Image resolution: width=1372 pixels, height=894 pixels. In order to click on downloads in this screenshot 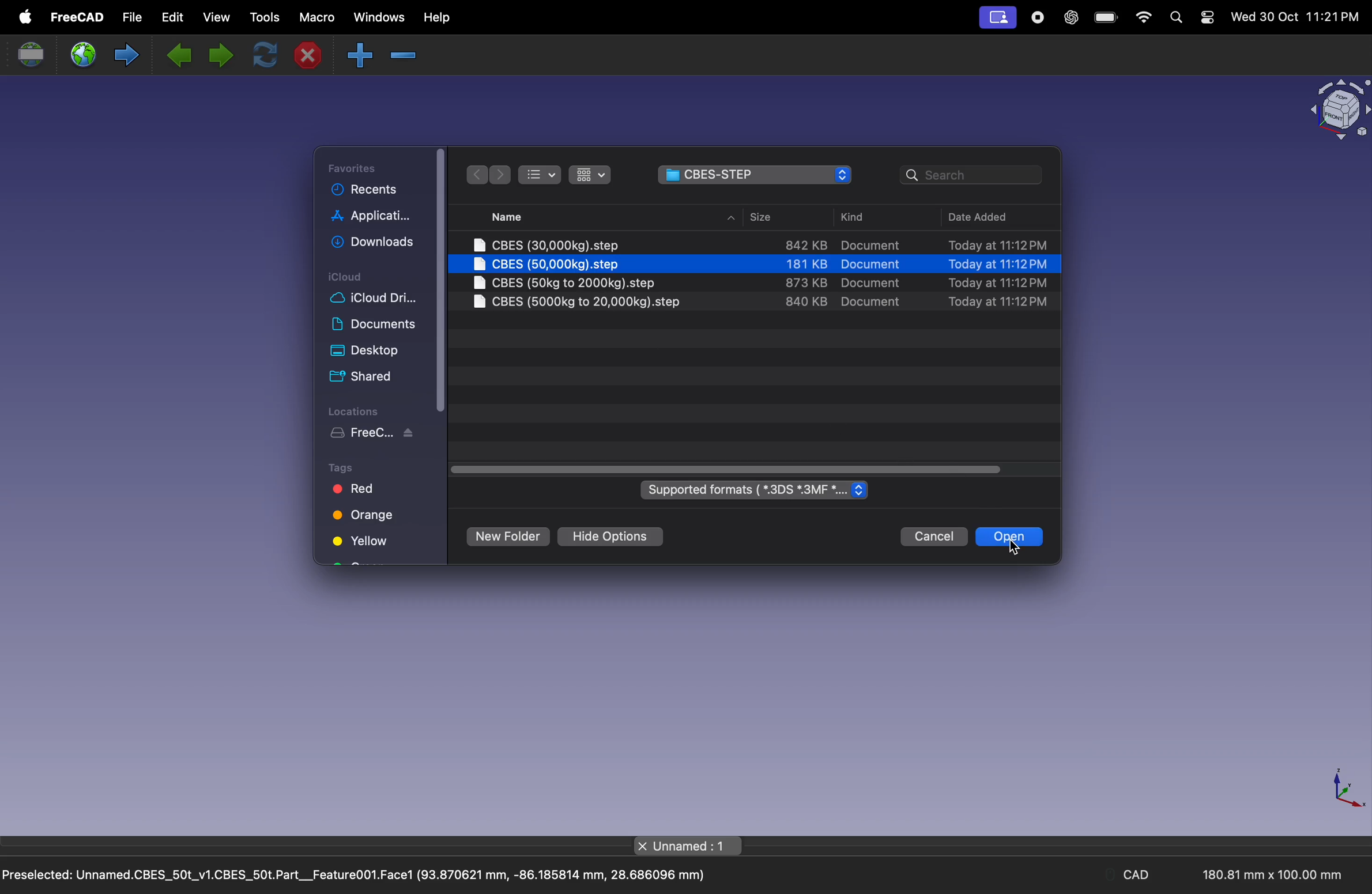, I will do `click(371, 240)`.